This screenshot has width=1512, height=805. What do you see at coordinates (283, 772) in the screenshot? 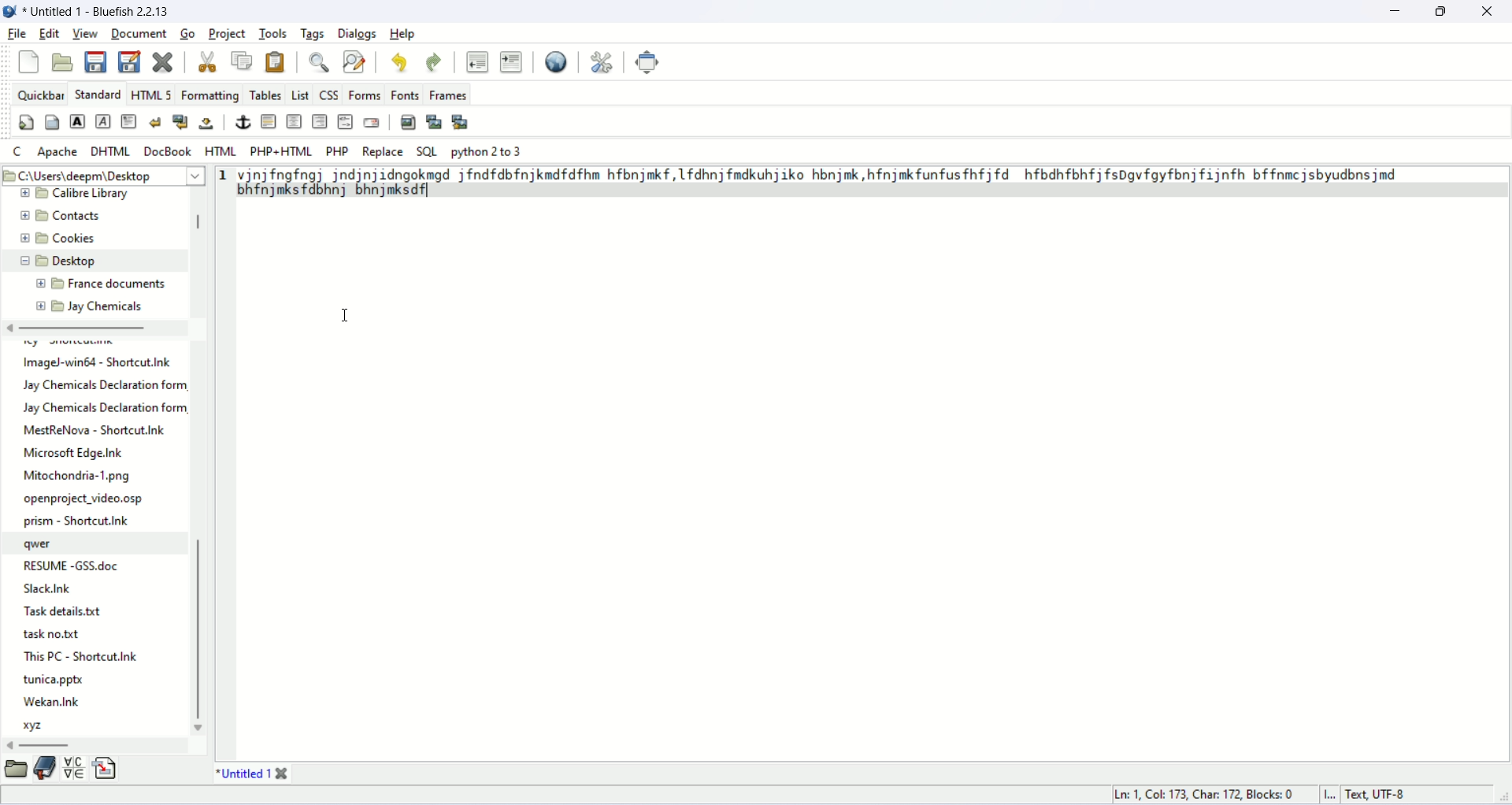
I see `close` at bounding box center [283, 772].